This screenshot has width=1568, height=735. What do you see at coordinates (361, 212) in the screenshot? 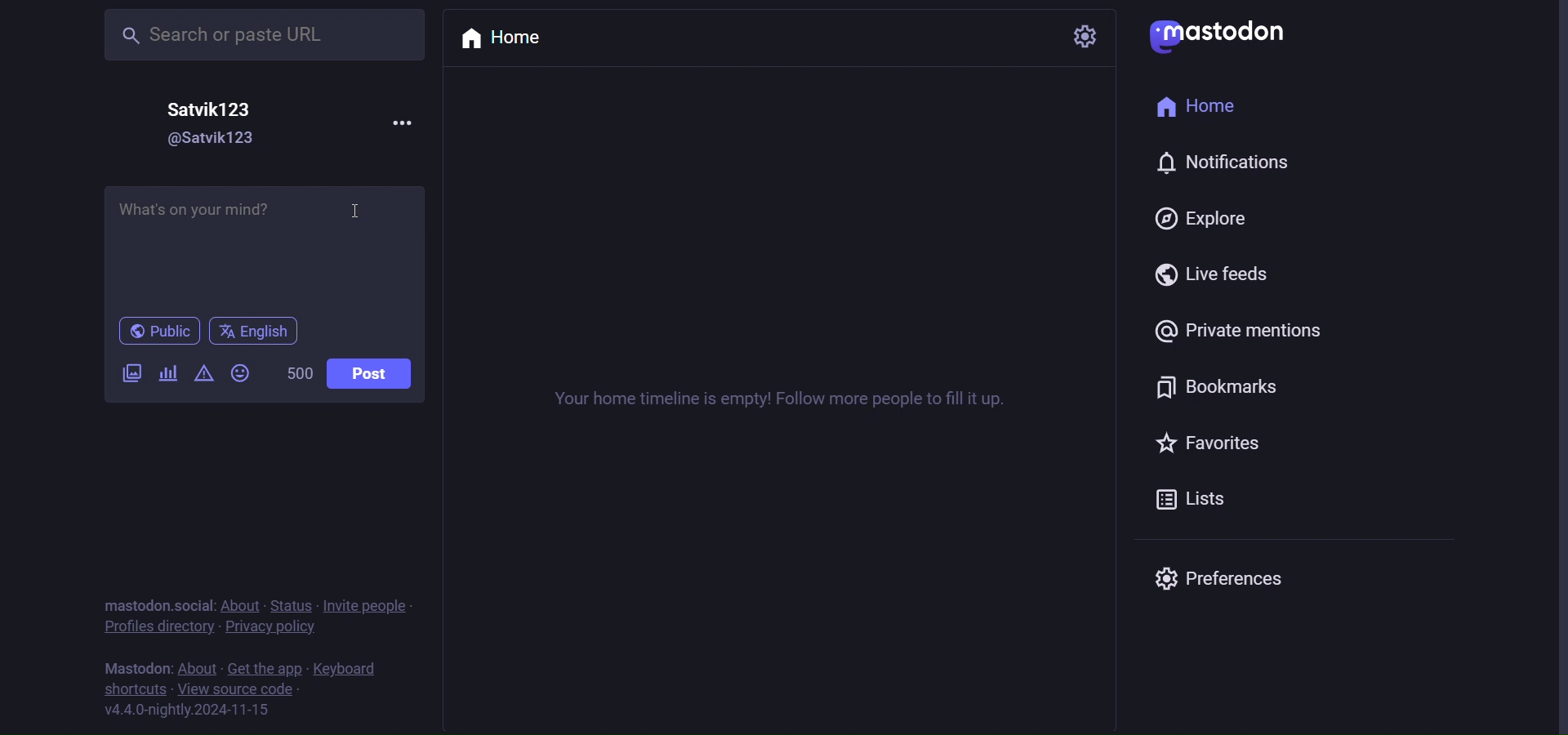
I see `cursor` at bounding box center [361, 212].